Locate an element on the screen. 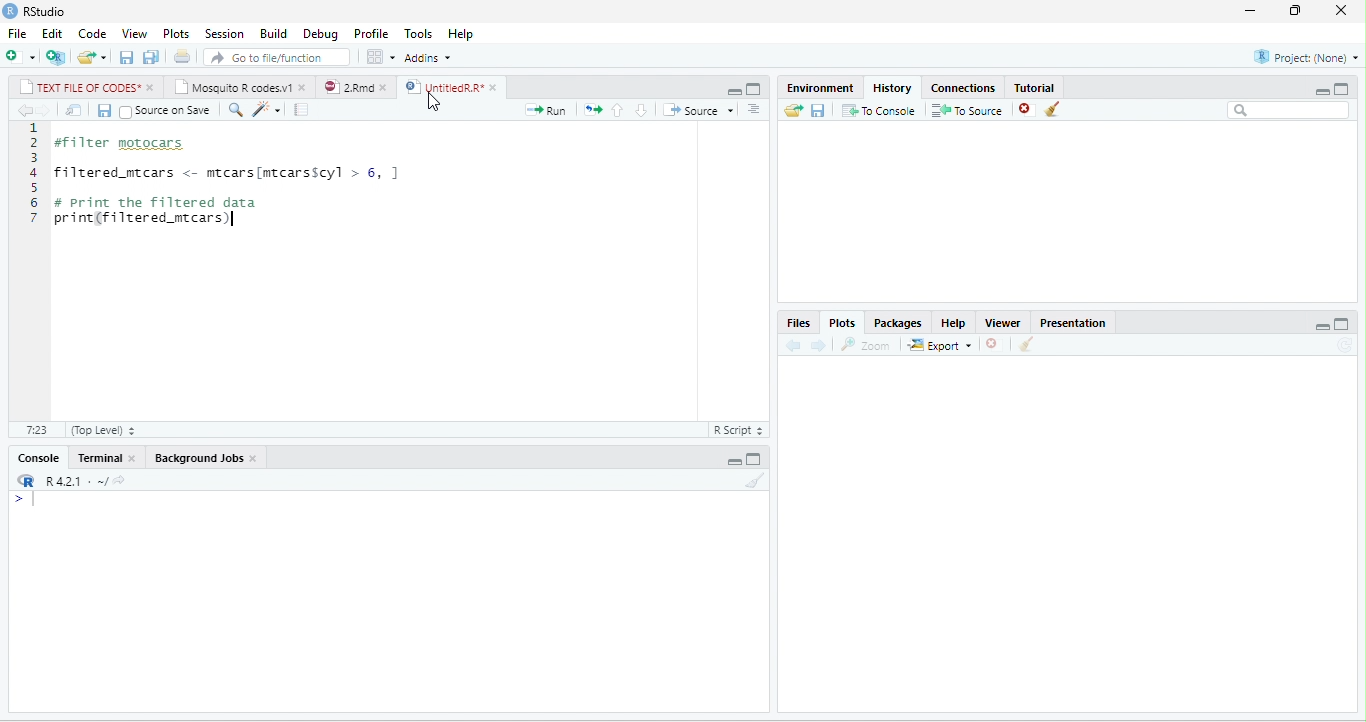  close is located at coordinates (153, 87).